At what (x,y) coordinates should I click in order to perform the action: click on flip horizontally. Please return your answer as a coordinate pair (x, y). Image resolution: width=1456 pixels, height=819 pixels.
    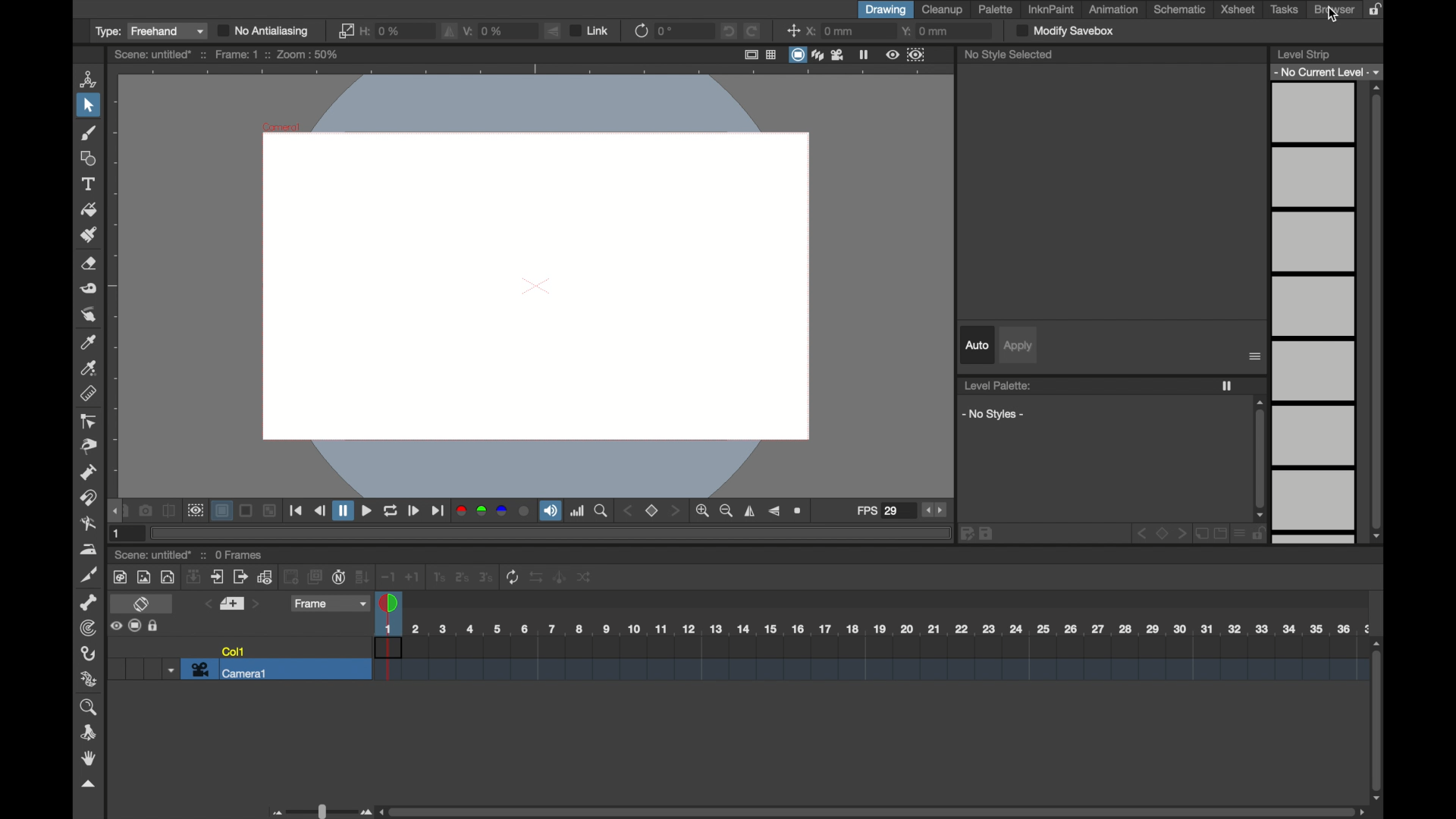
    Looking at the image, I should click on (751, 510).